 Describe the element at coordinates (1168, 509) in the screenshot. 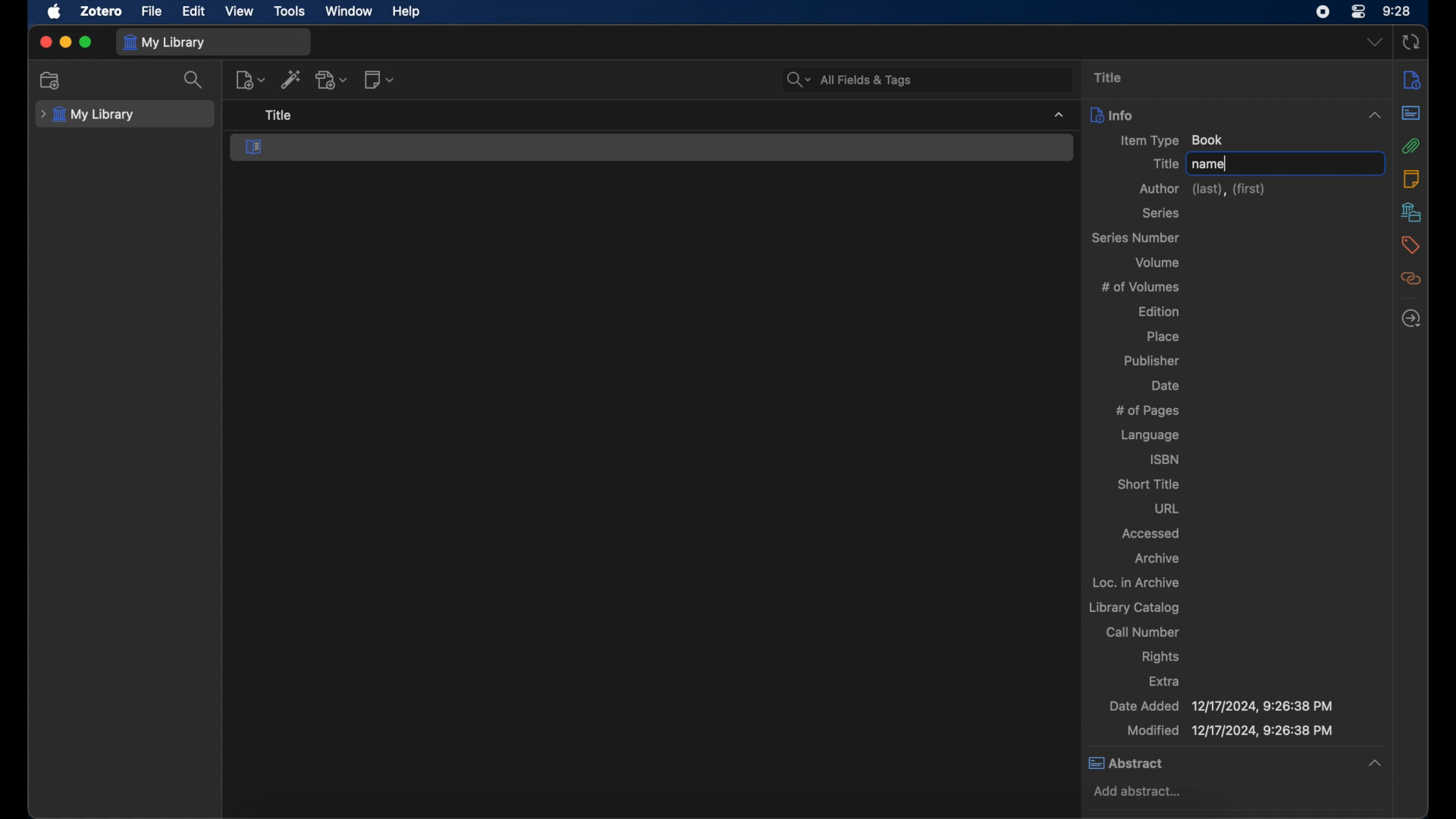

I see `url` at that location.